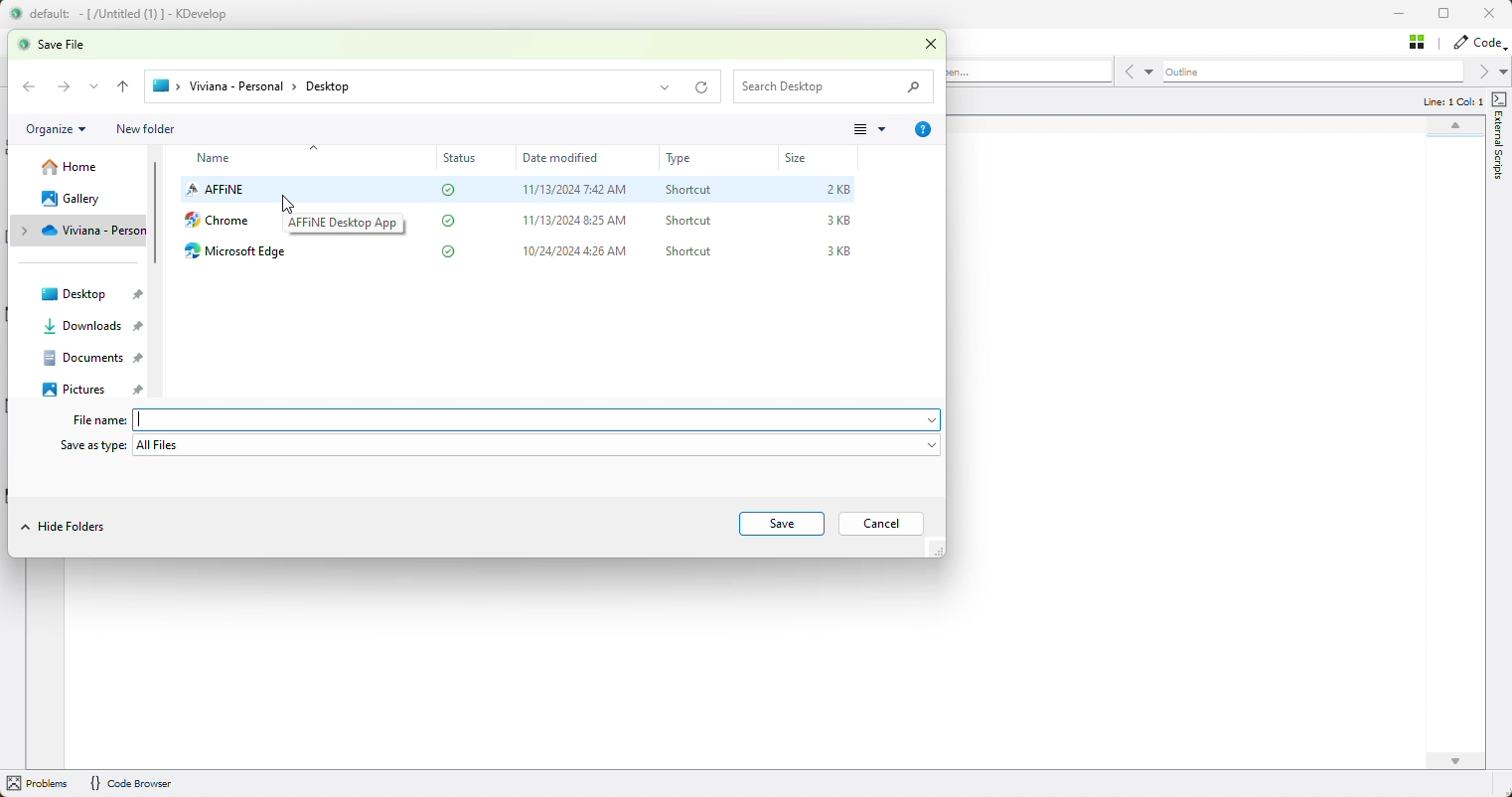  Describe the element at coordinates (64, 528) in the screenshot. I see `hide folders` at that location.